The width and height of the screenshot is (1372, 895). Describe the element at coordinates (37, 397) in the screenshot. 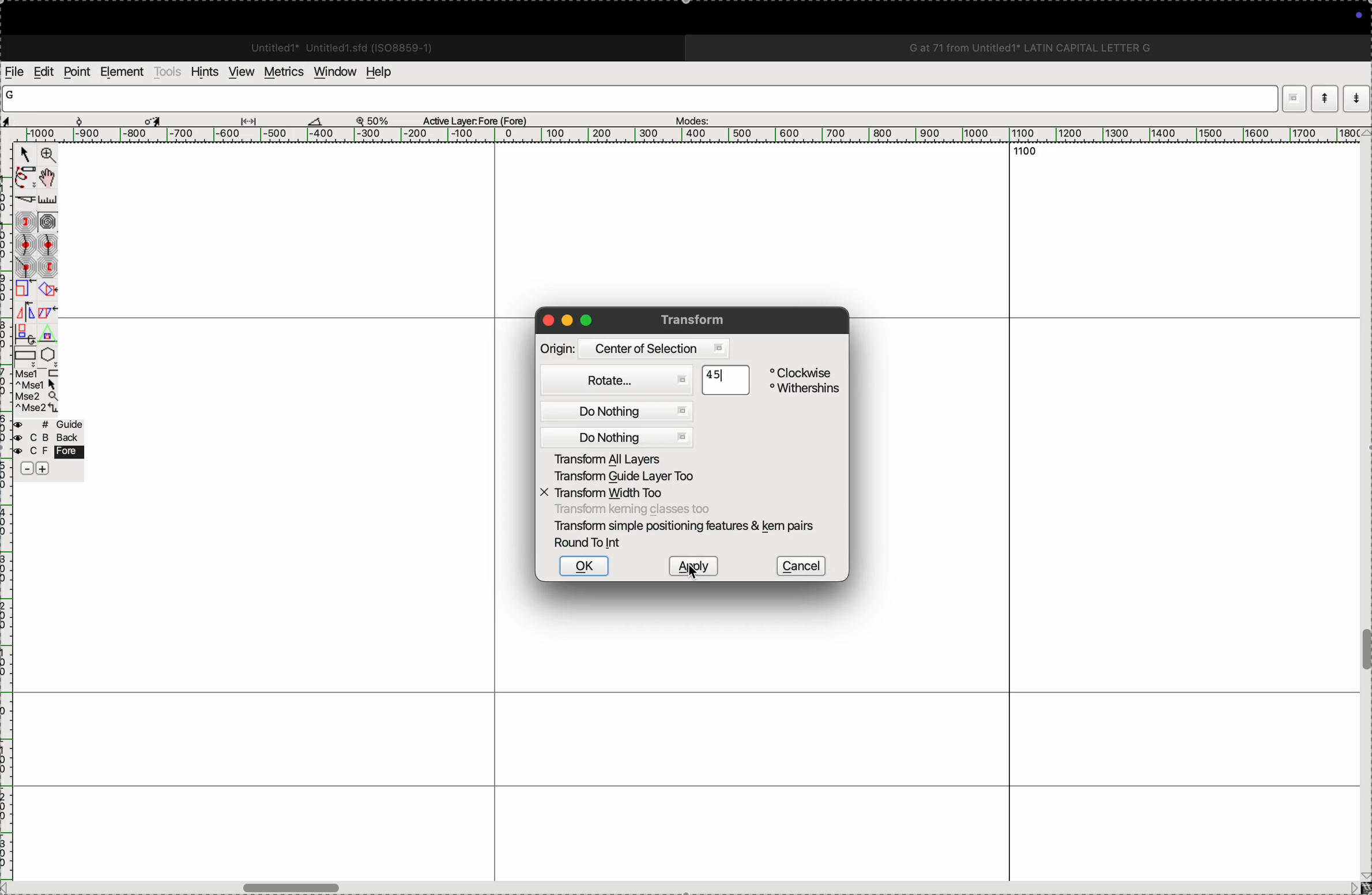

I see `mouse wheel button` at that location.